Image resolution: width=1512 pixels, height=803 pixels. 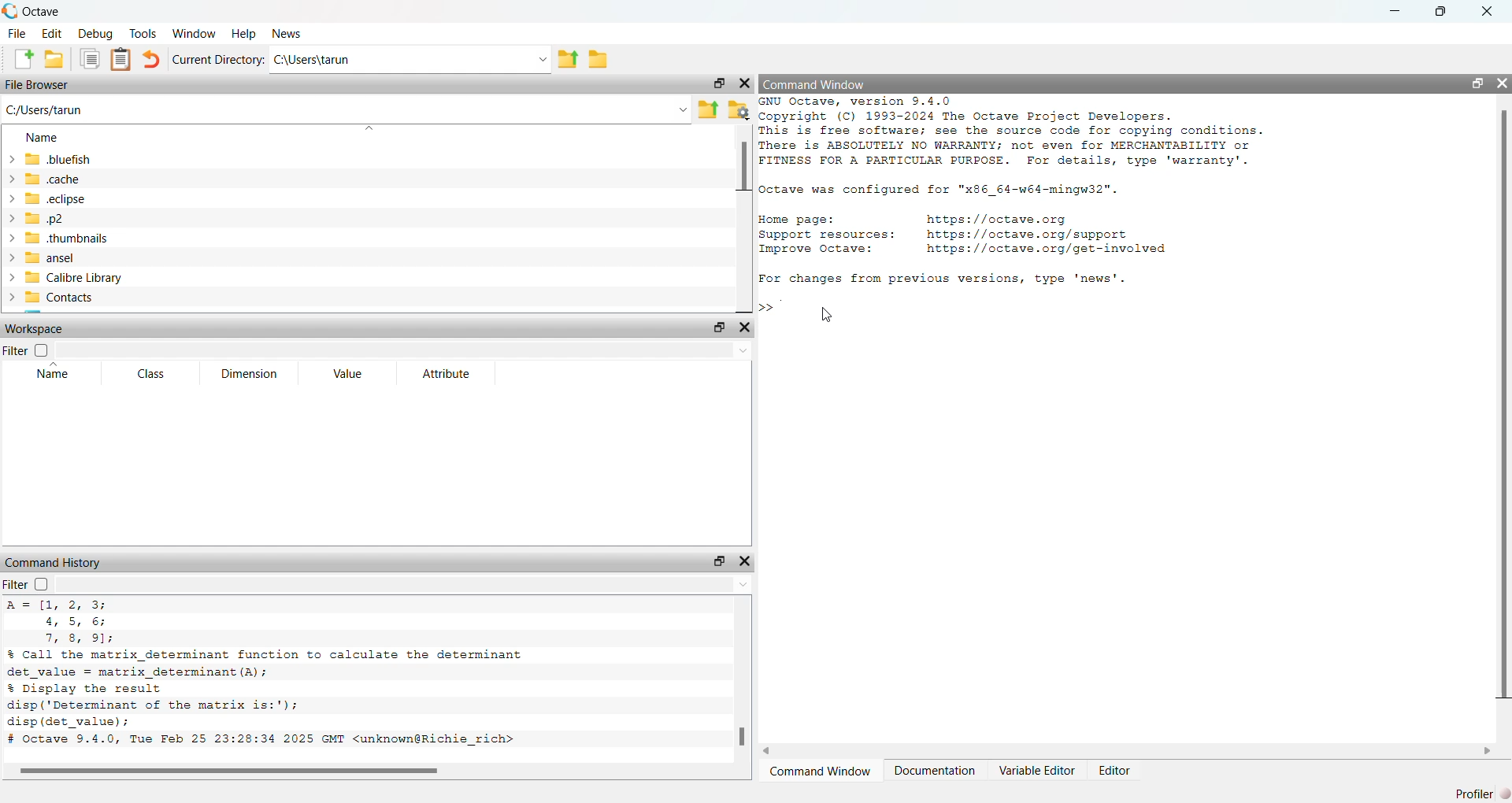 What do you see at coordinates (738, 111) in the screenshot?
I see `browse directories` at bounding box center [738, 111].